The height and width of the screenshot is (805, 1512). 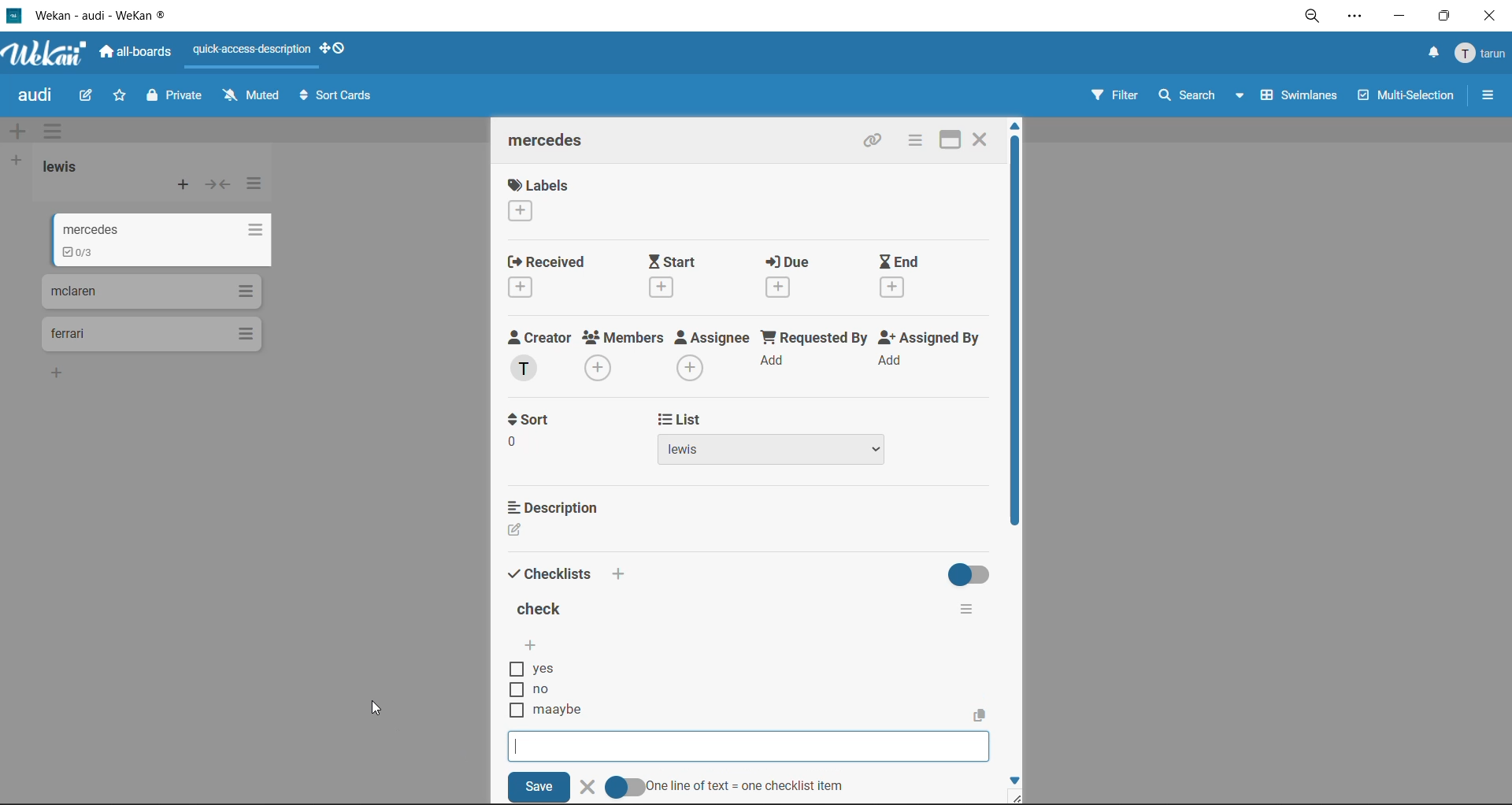 I want to click on star, so click(x=125, y=97).